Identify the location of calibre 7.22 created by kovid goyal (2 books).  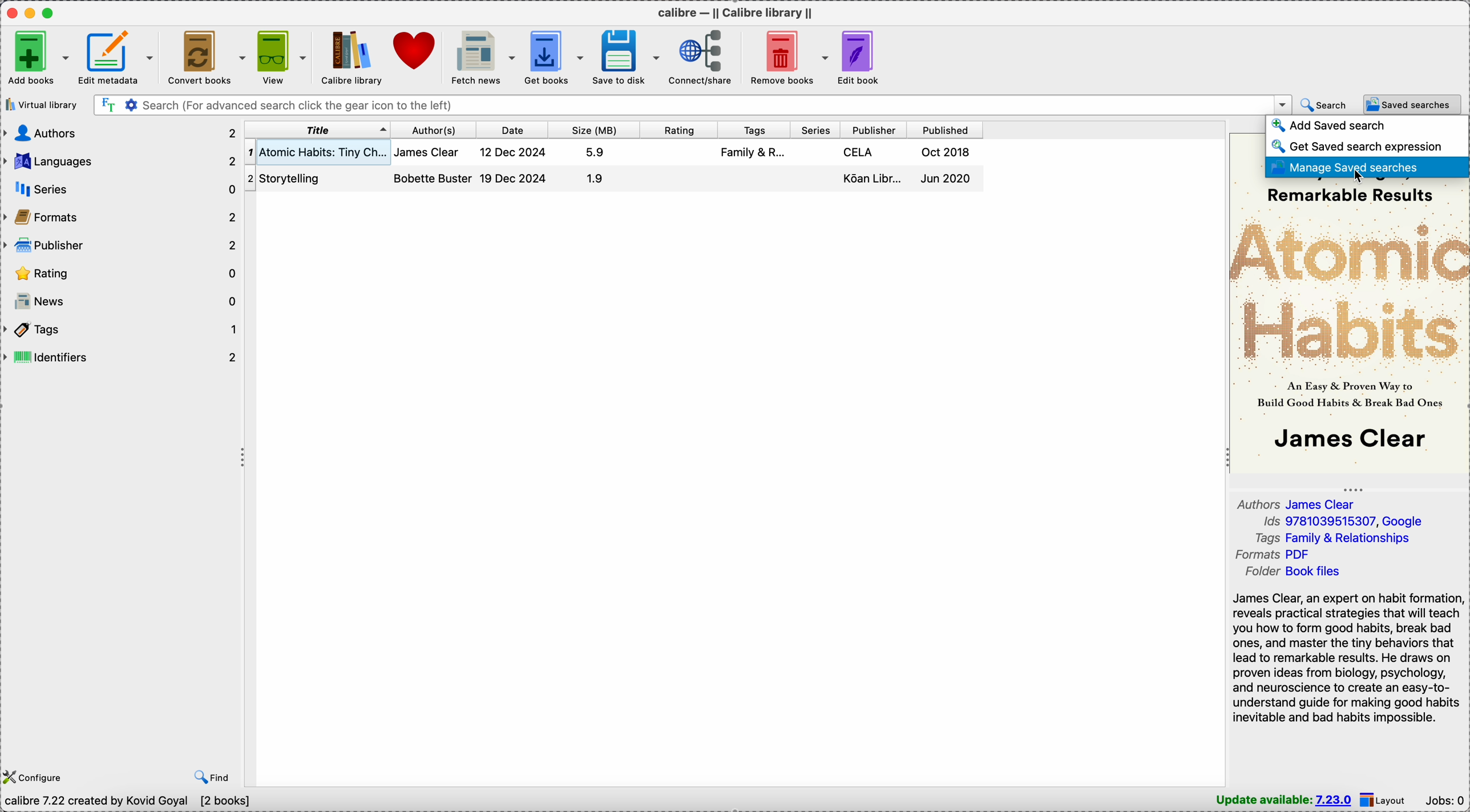
(131, 802).